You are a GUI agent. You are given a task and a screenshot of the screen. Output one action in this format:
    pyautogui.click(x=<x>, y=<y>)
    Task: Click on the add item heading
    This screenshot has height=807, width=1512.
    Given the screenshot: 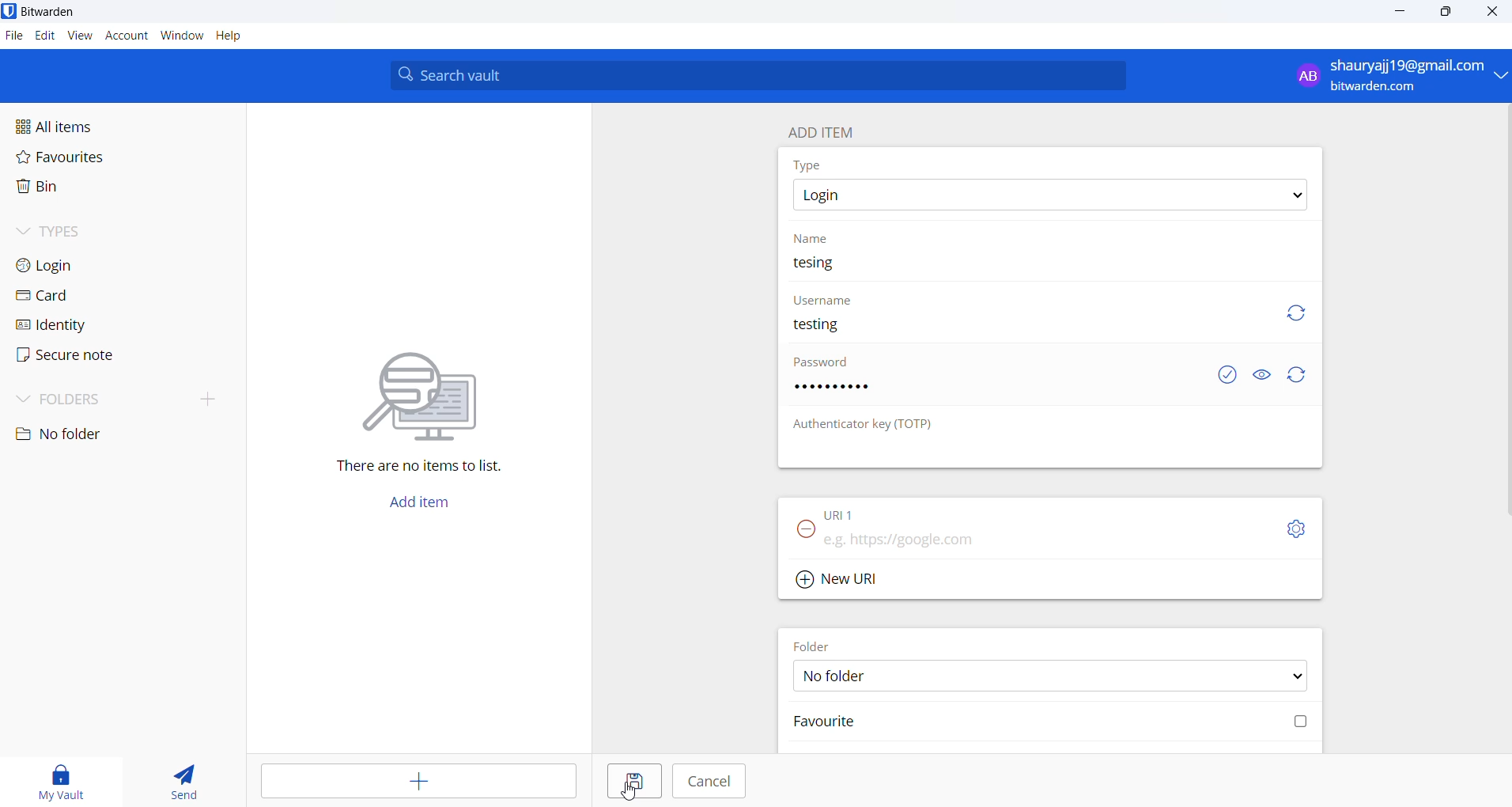 What is the action you would take?
    pyautogui.click(x=827, y=131)
    